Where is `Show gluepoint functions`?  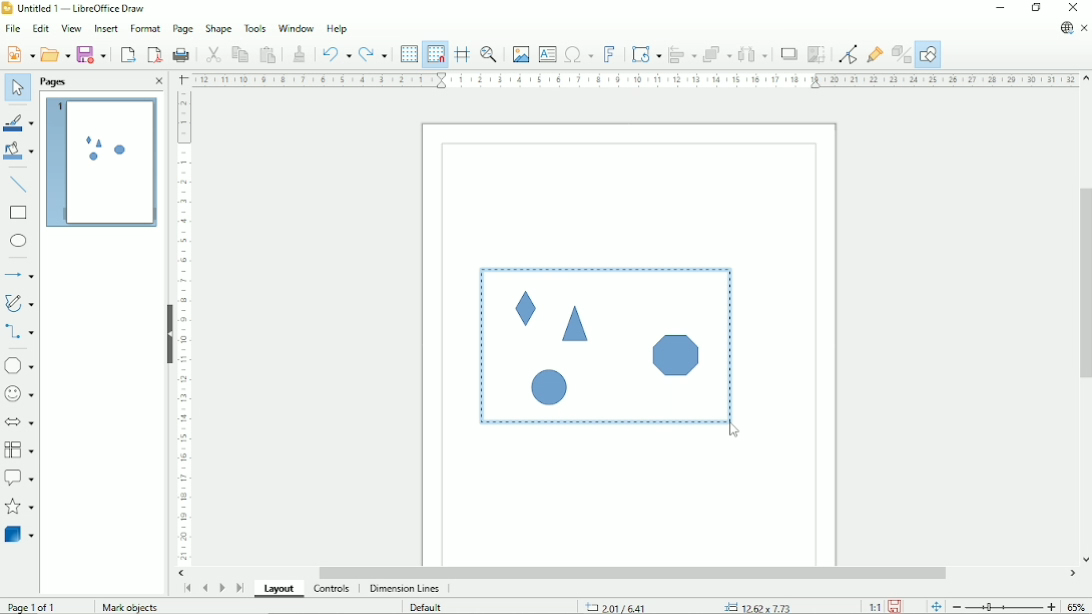 Show gluepoint functions is located at coordinates (874, 52).